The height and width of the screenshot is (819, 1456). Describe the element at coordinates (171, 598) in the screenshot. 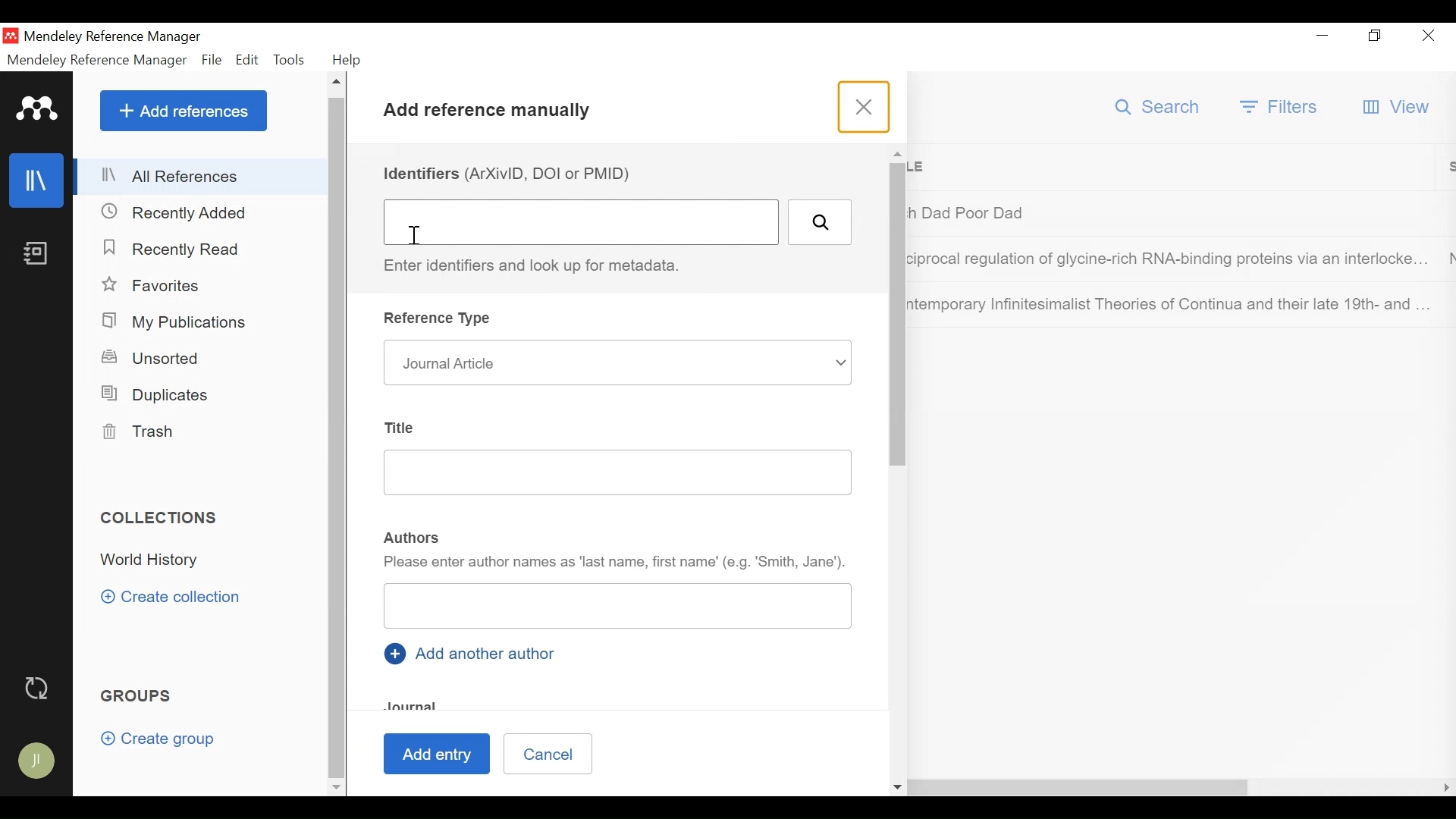

I see `Create Collection` at that location.